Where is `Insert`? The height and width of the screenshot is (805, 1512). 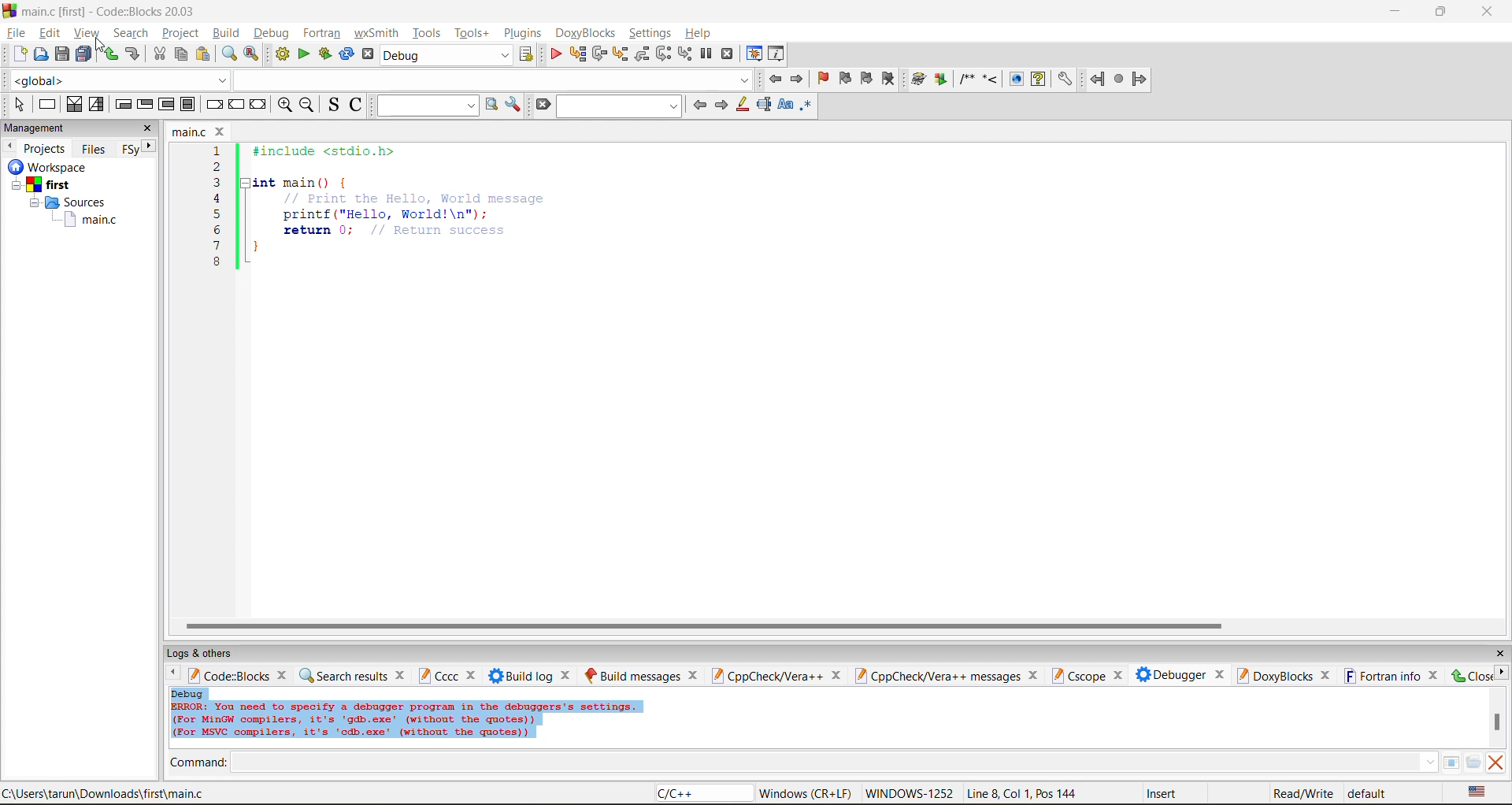
Insert is located at coordinates (1165, 793).